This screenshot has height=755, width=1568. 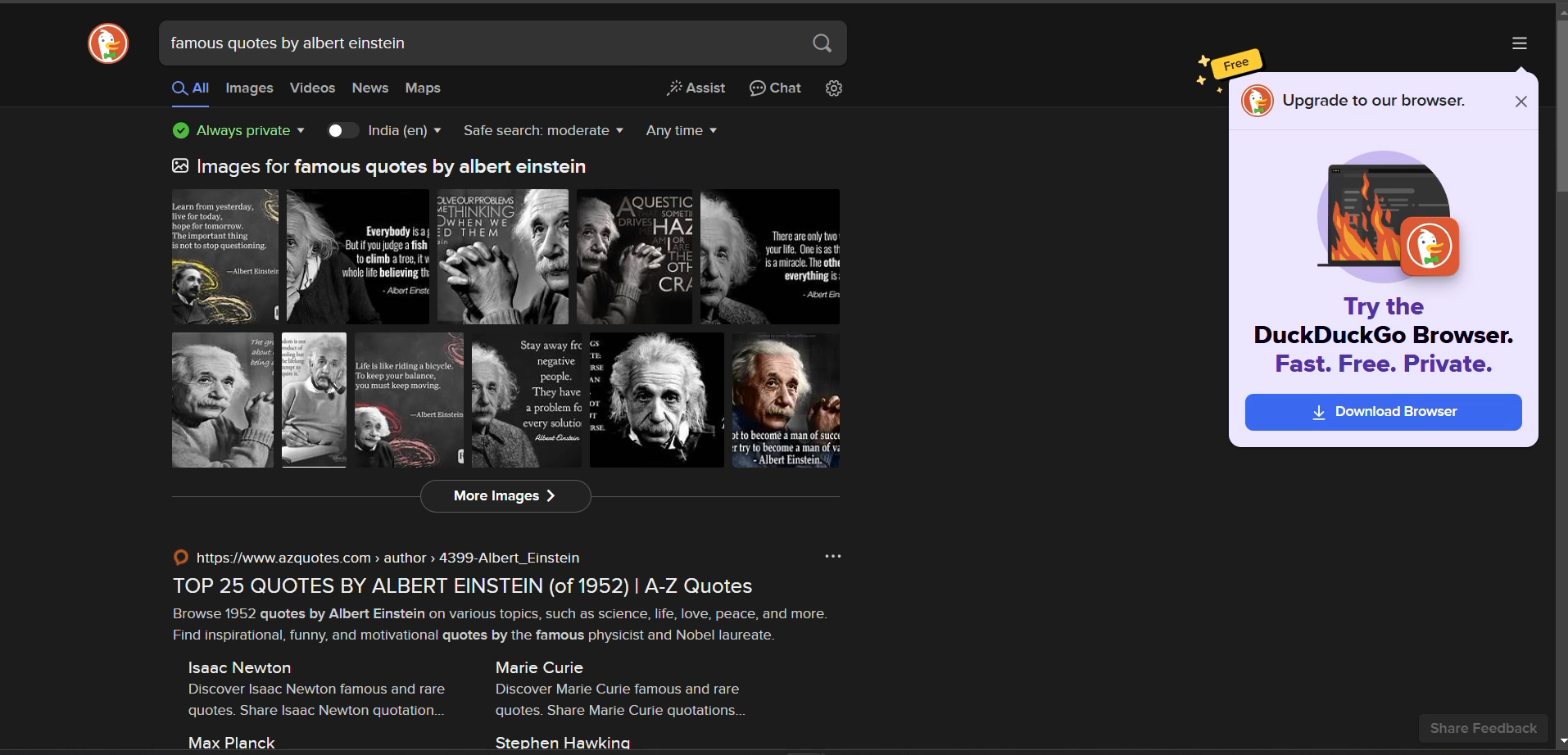 What do you see at coordinates (542, 132) in the screenshot?
I see `safe search filter` at bounding box center [542, 132].